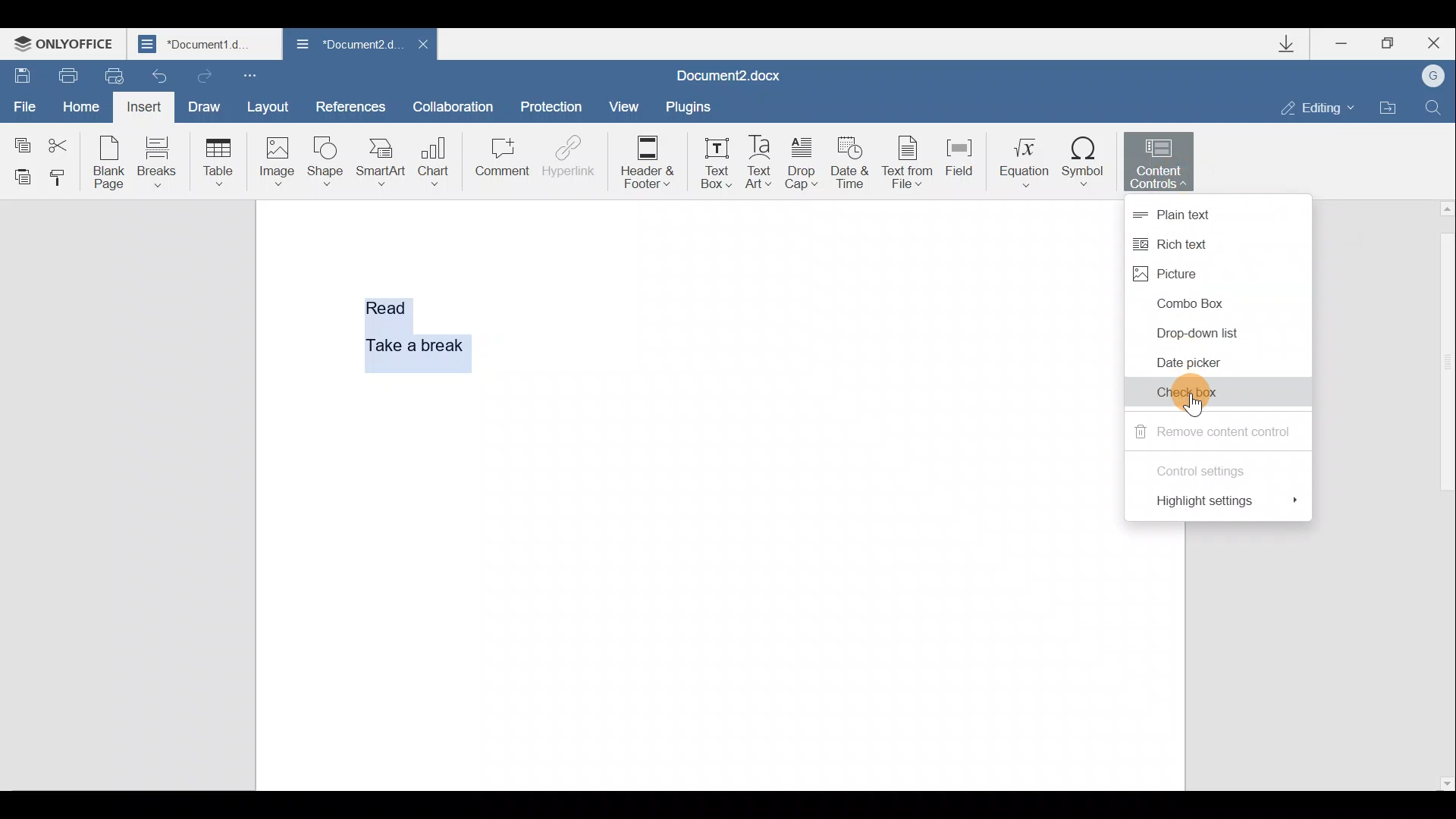  I want to click on Close, so click(423, 44).